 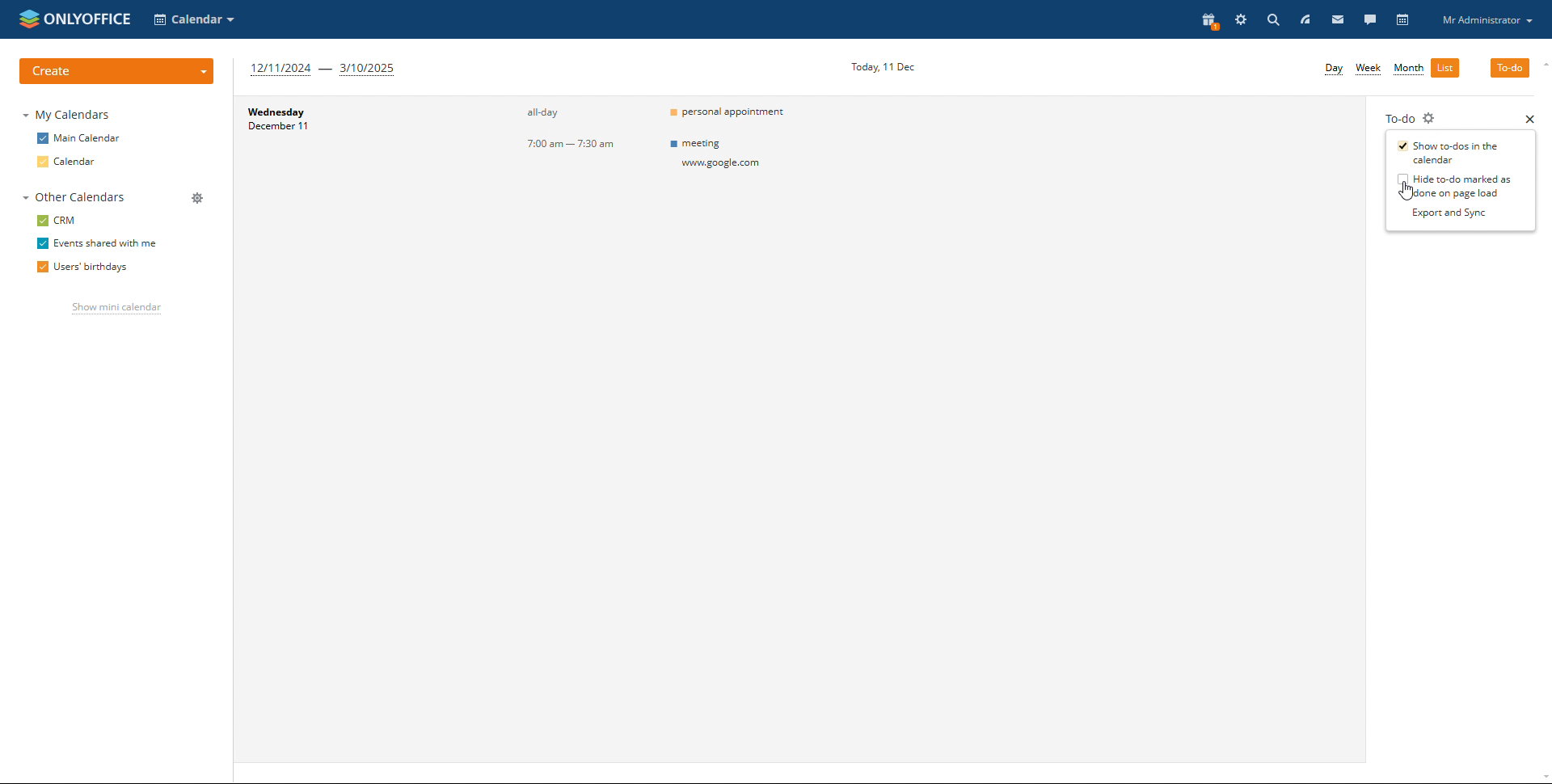 What do you see at coordinates (1208, 21) in the screenshot?
I see `present` at bounding box center [1208, 21].